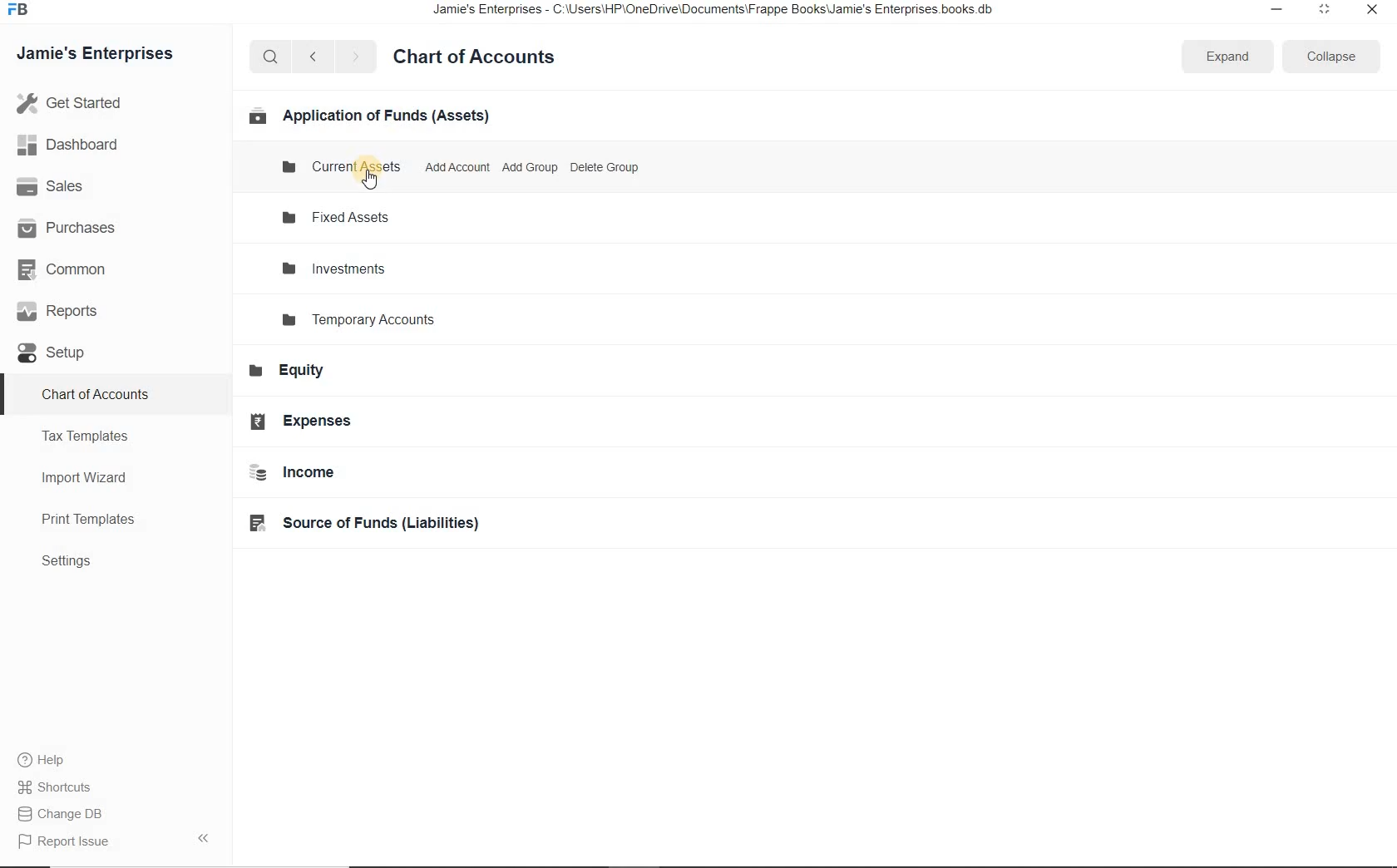  Describe the element at coordinates (301, 472) in the screenshot. I see `Income` at that location.